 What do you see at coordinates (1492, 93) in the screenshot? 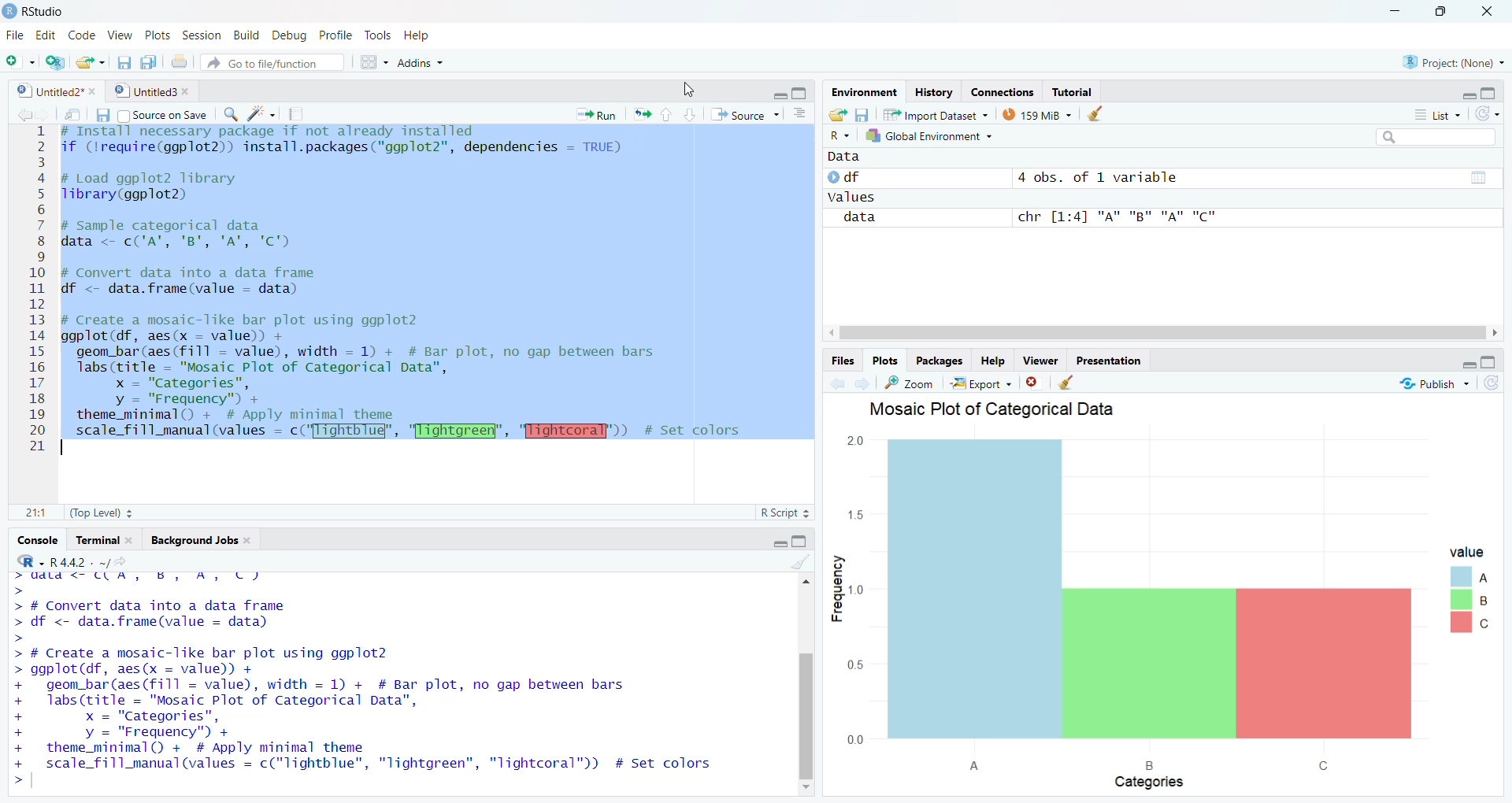
I see `Maximize` at bounding box center [1492, 93].